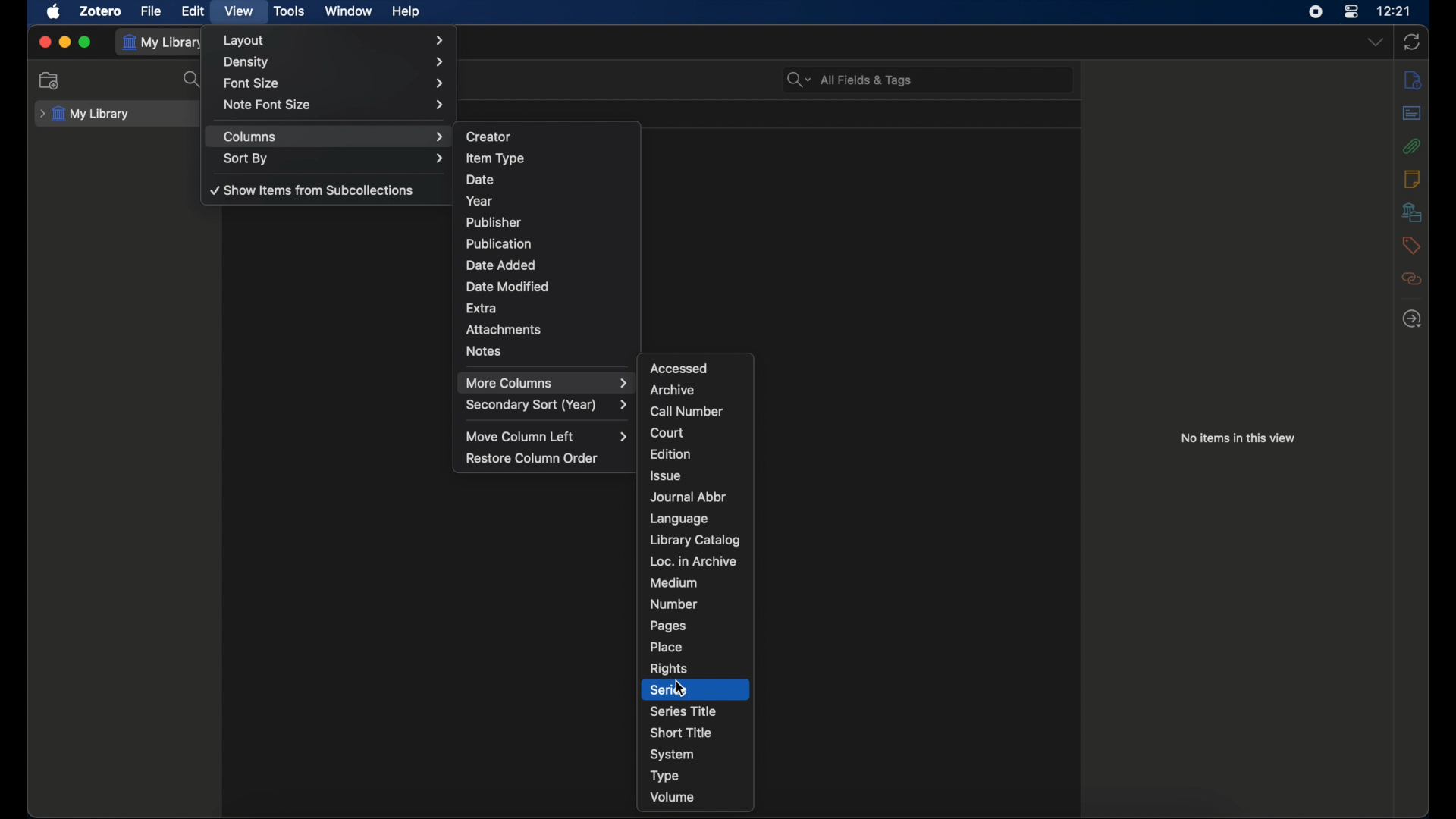 Image resolution: width=1456 pixels, height=819 pixels. Describe the element at coordinates (406, 12) in the screenshot. I see `help` at that location.